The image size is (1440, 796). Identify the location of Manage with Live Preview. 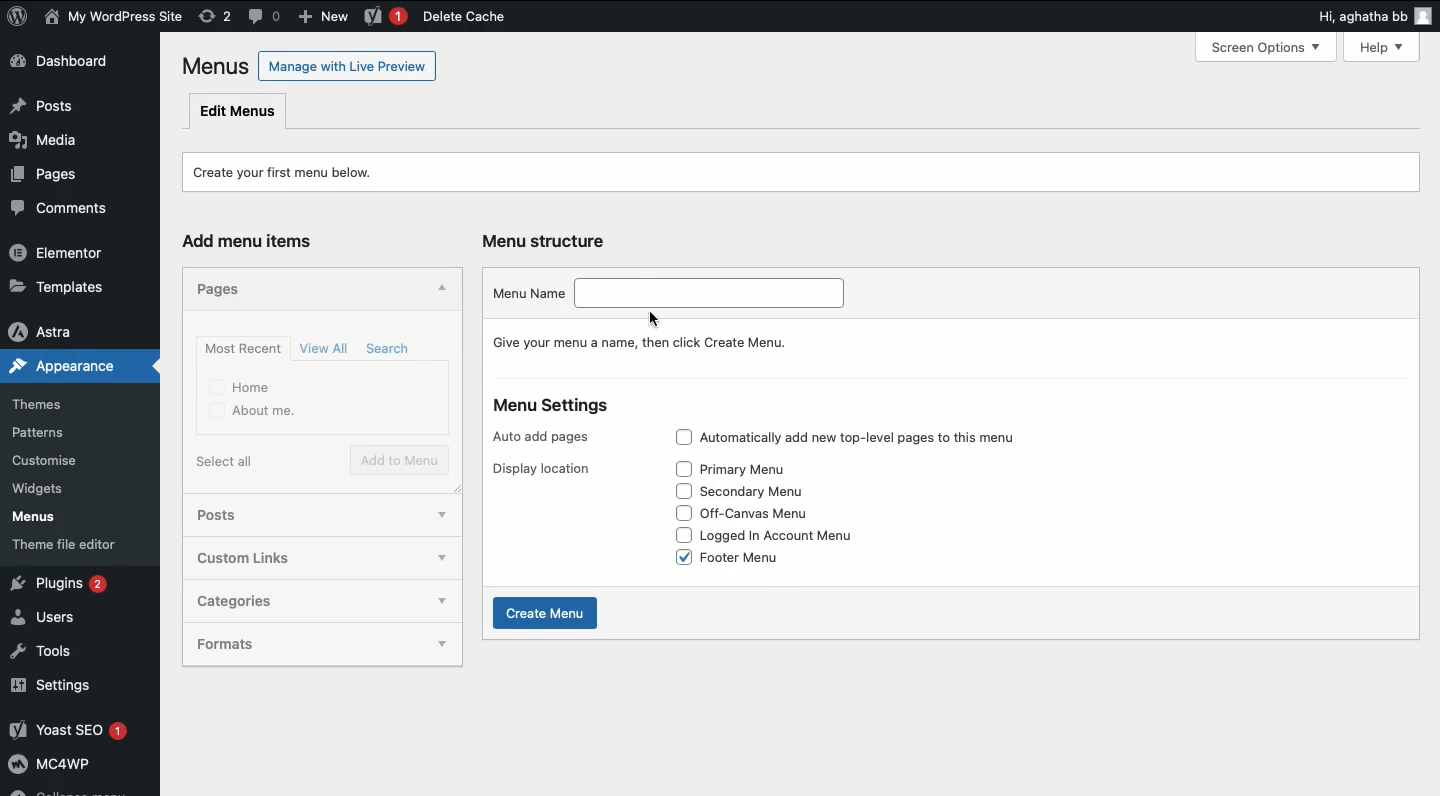
(347, 65).